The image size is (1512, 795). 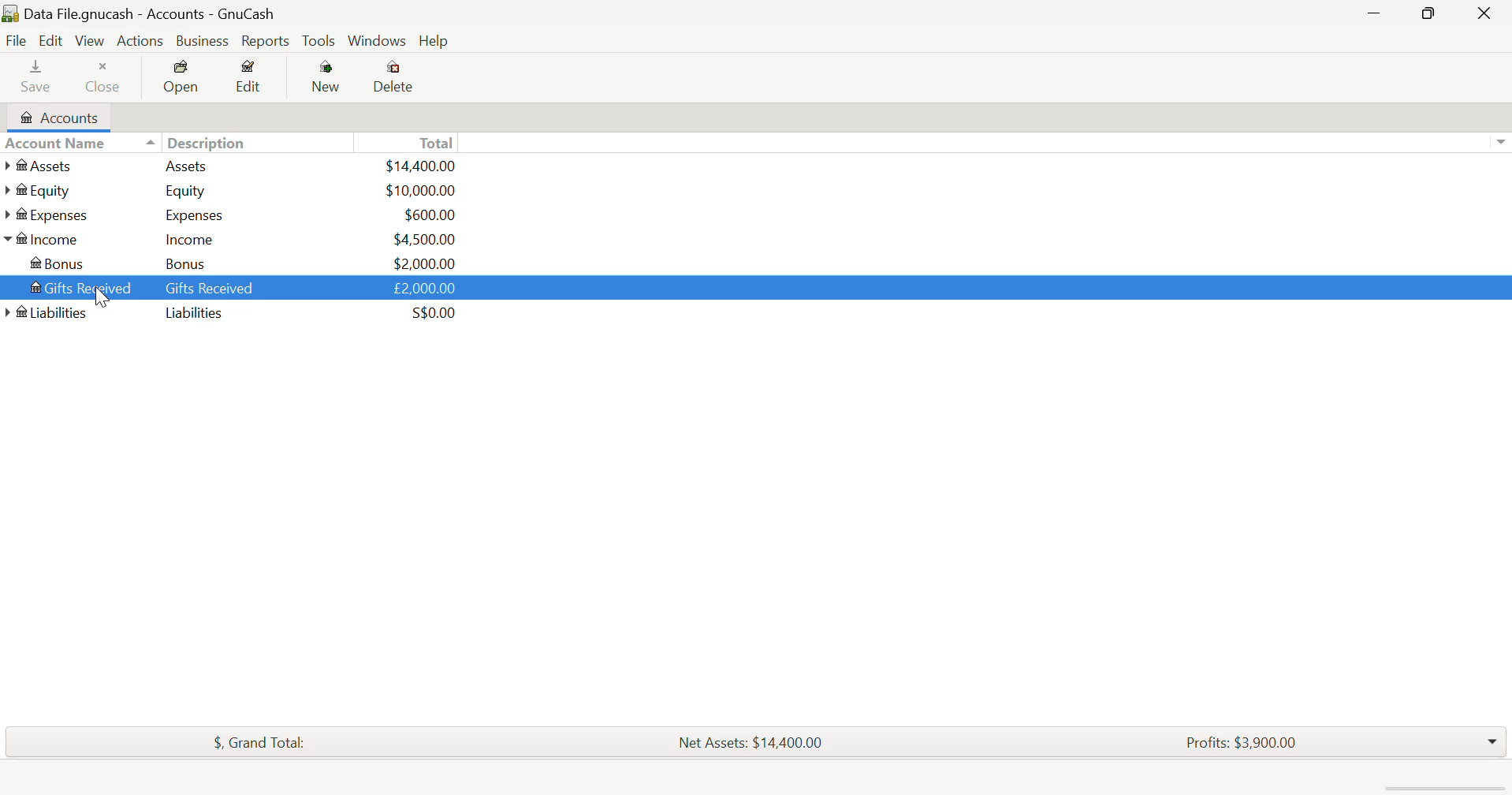 I want to click on Business, so click(x=201, y=39).